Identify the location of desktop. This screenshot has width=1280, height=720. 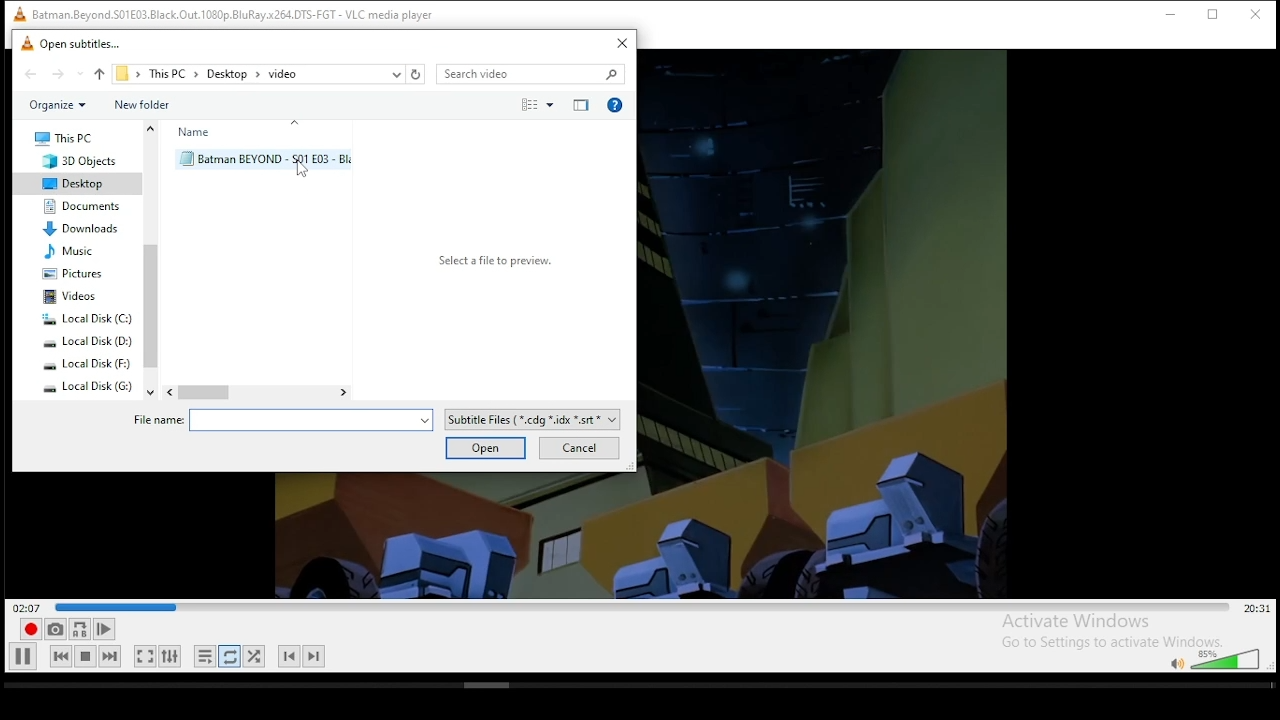
(83, 183).